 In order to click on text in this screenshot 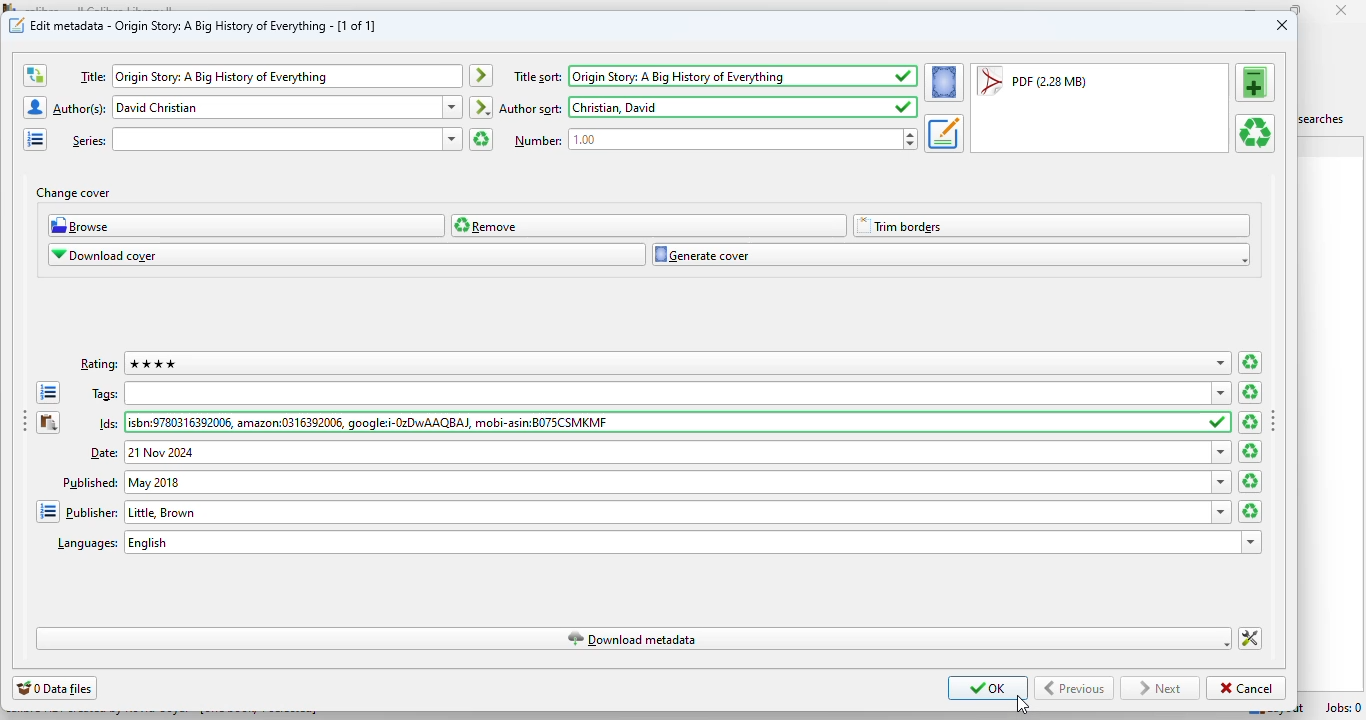, I will do `click(99, 365)`.